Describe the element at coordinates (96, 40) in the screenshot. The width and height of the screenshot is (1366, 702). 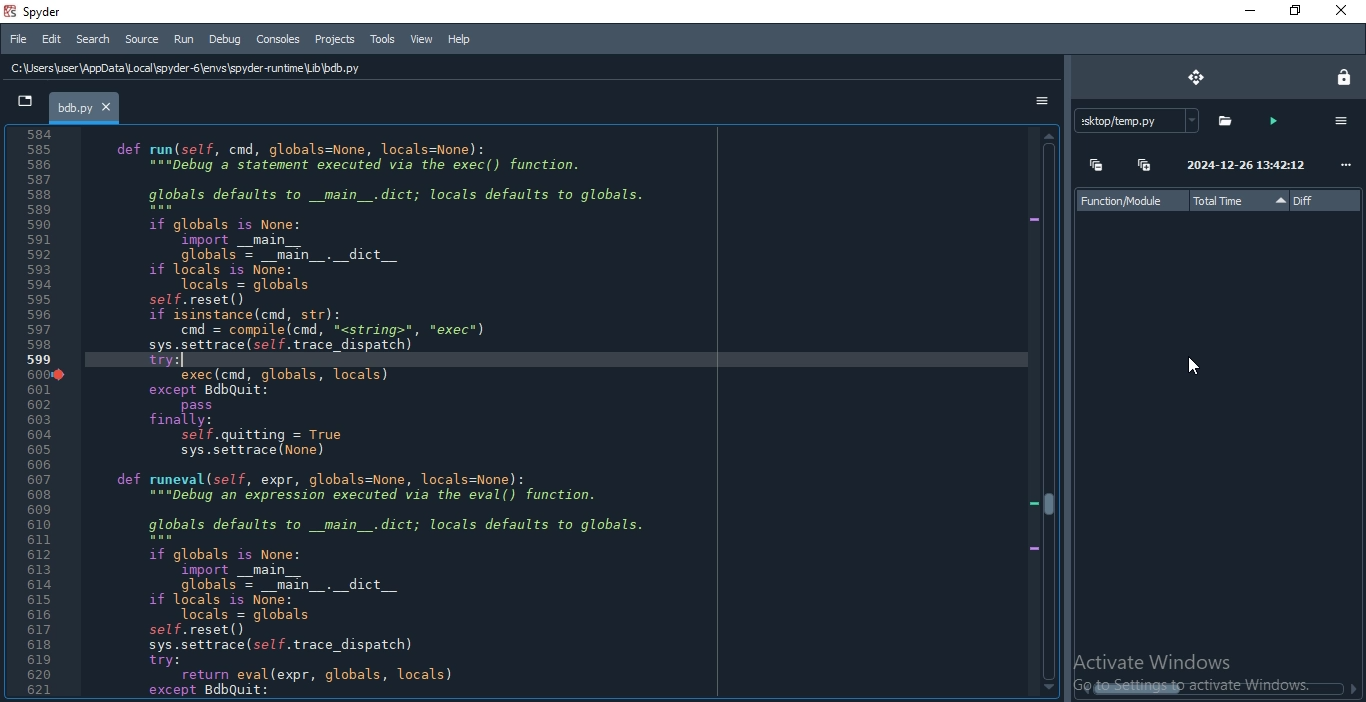
I see `Search` at that location.